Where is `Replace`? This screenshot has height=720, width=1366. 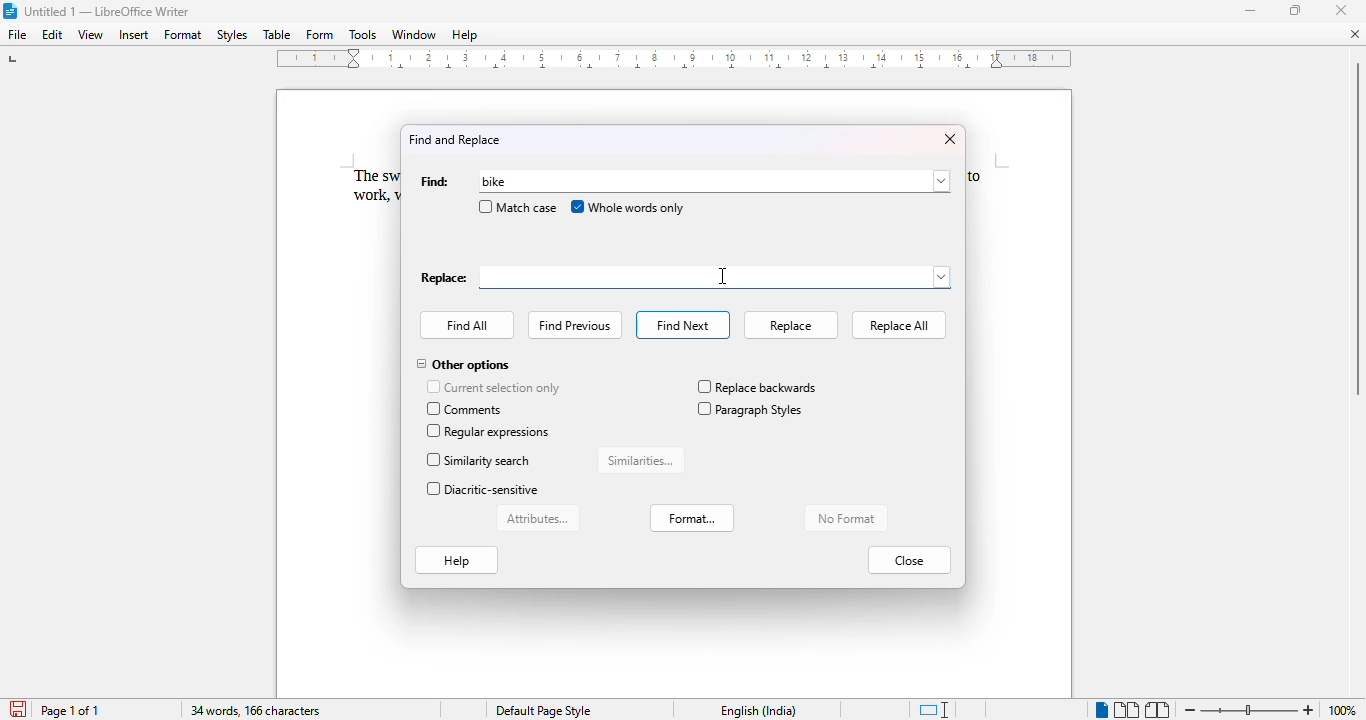
Replace is located at coordinates (442, 279).